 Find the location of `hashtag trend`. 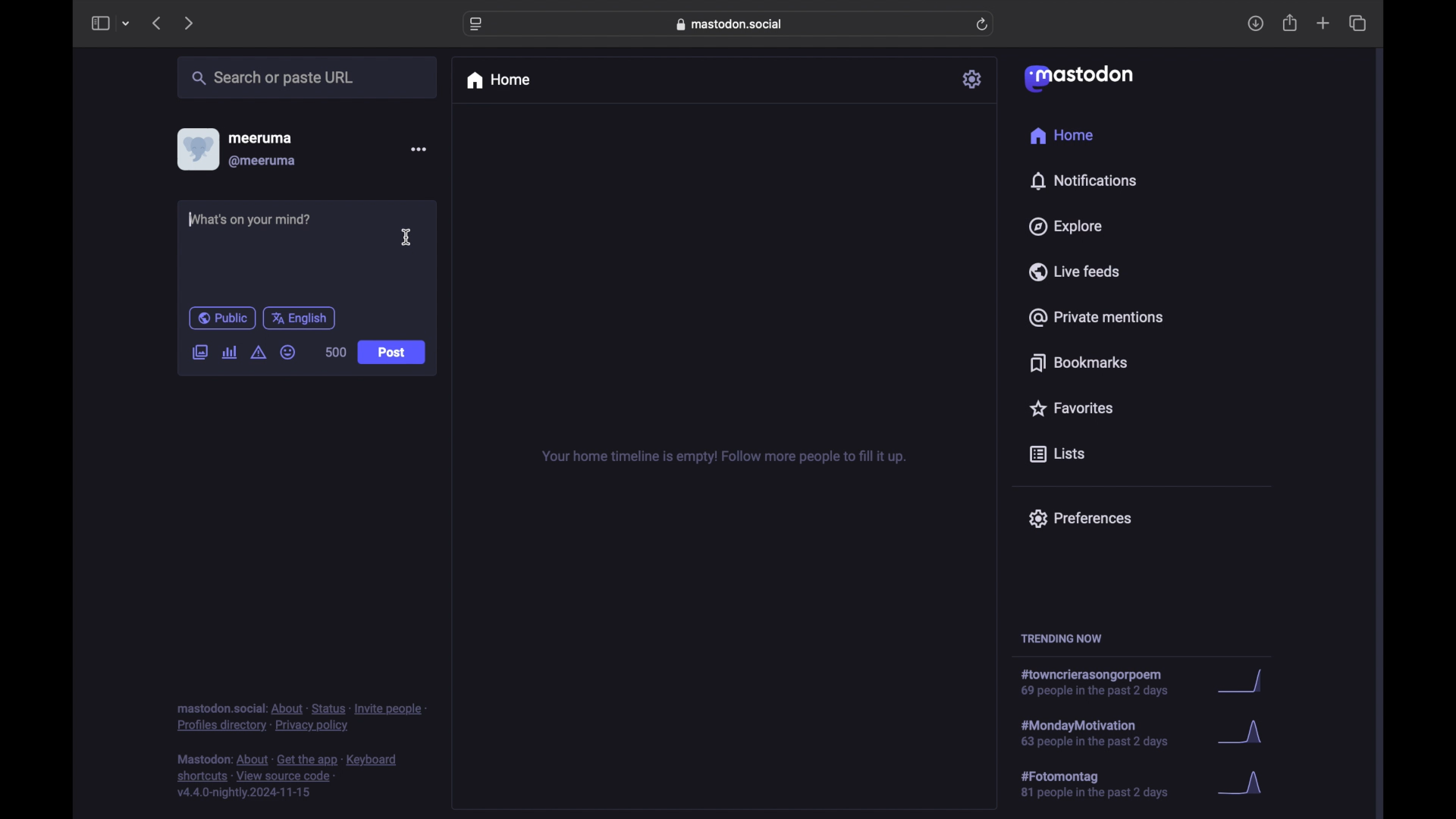

hashtag trend is located at coordinates (1103, 683).